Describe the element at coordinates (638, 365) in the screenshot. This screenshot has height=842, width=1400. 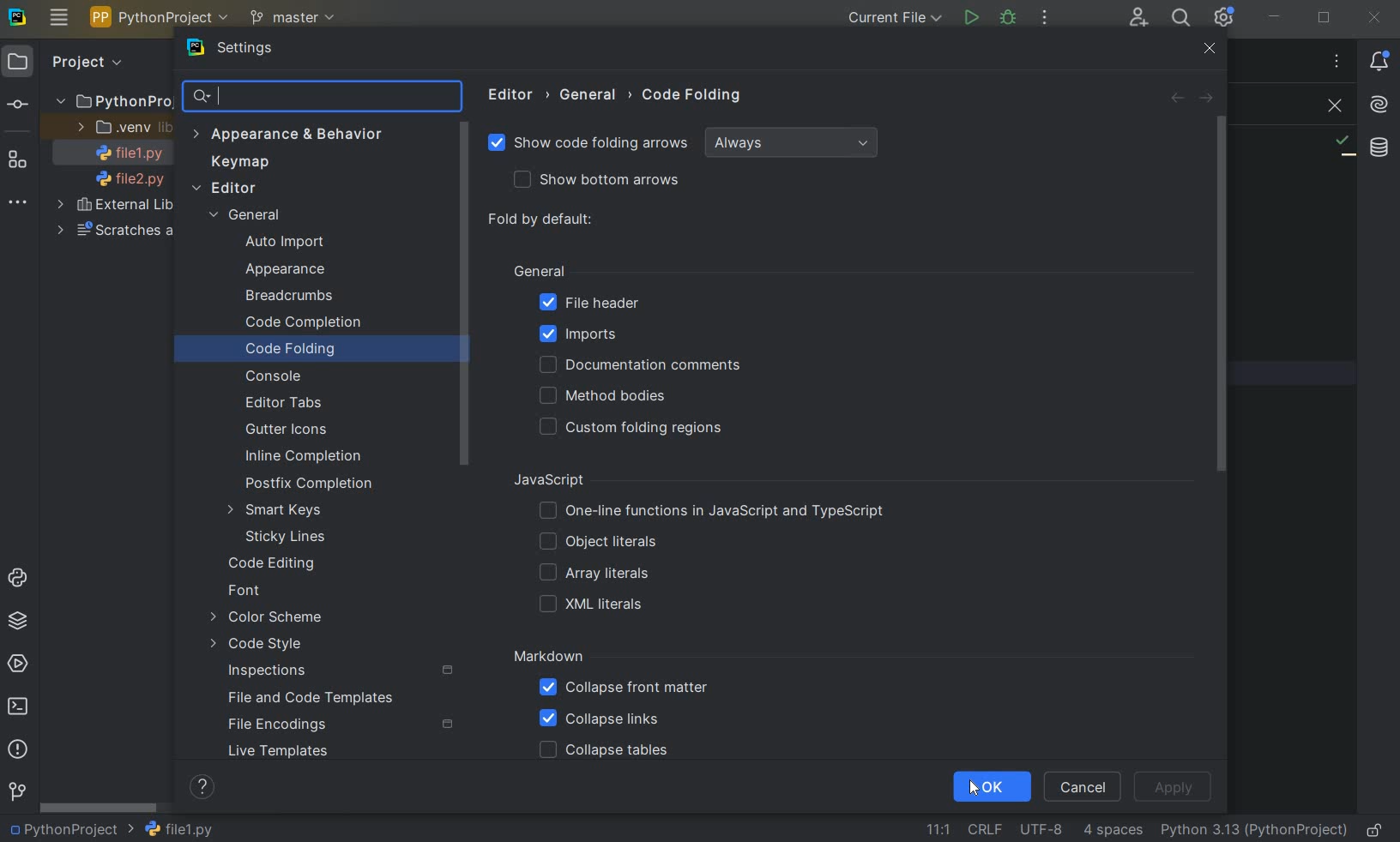
I see `DOCUMENTATION COMMENTS` at that location.